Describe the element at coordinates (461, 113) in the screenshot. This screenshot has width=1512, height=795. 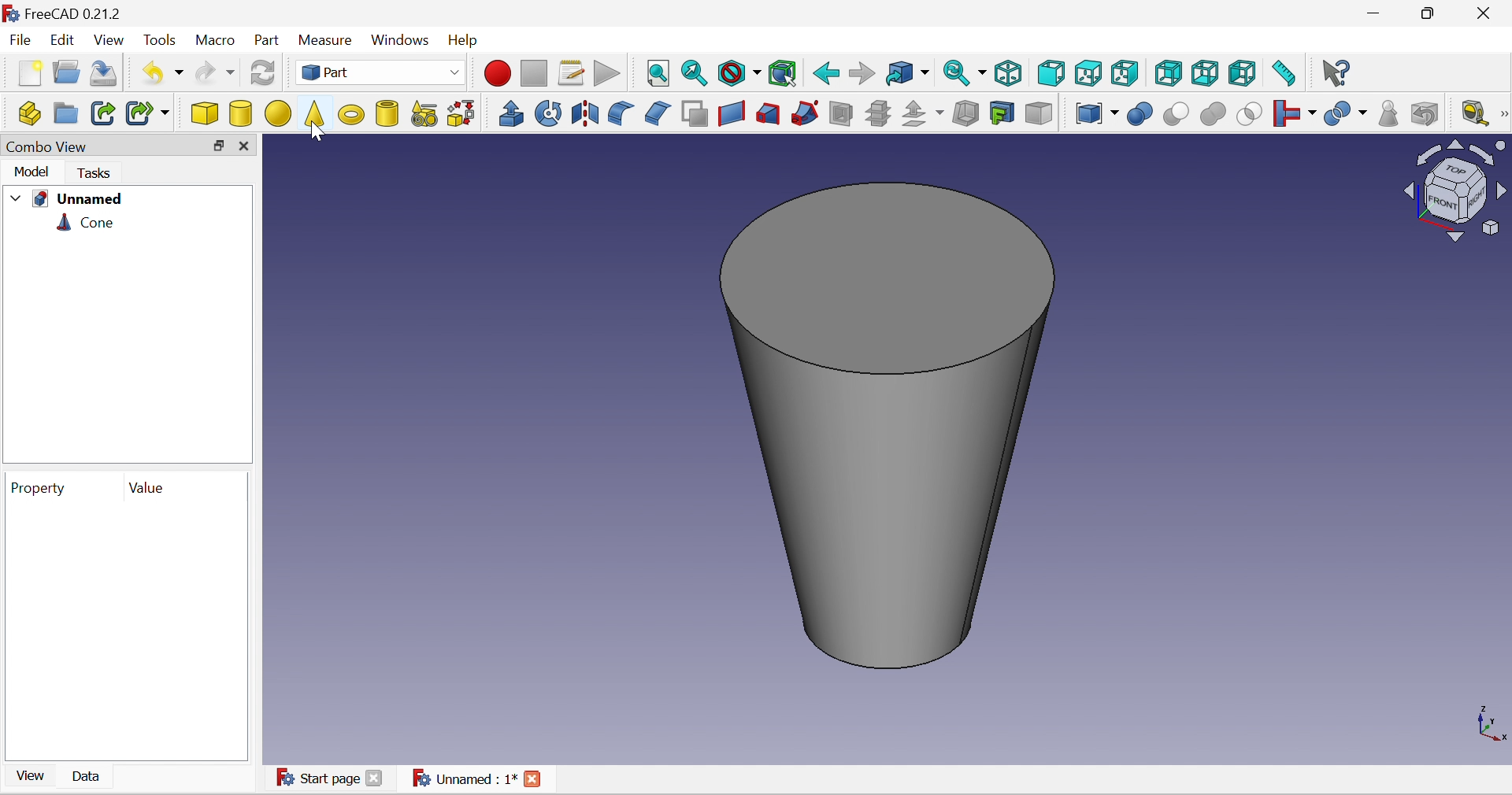
I see `Shape builder` at that location.